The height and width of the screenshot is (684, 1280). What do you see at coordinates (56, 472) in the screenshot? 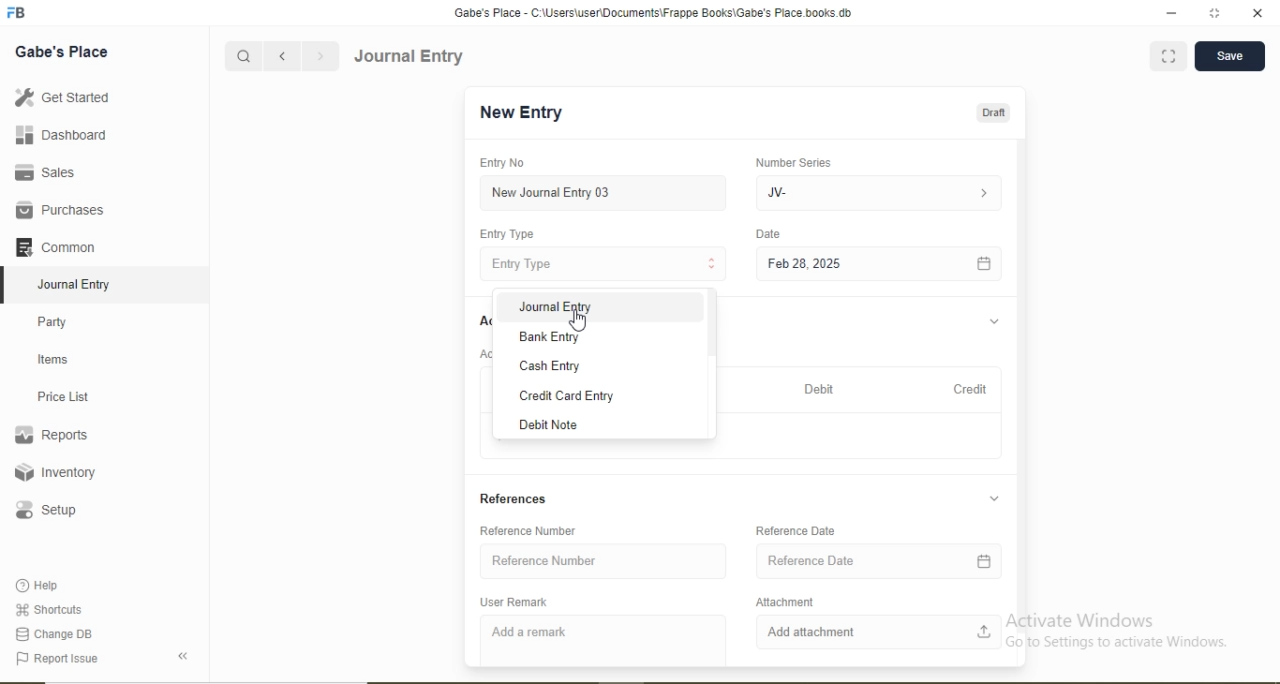
I see `Inventory` at bounding box center [56, 472].